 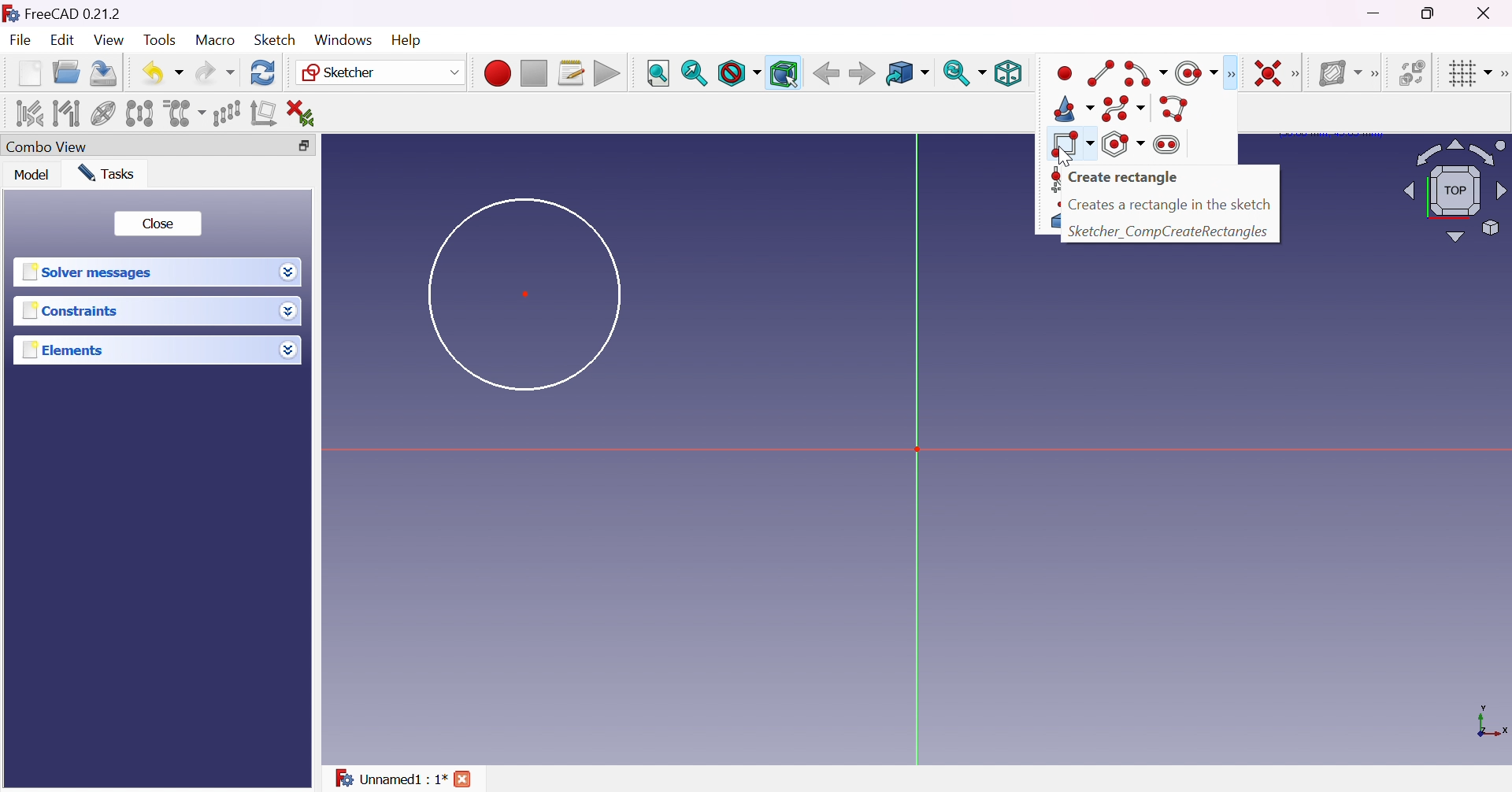 I want to click on Unnamed : 1*, so click(x=390, y=775).